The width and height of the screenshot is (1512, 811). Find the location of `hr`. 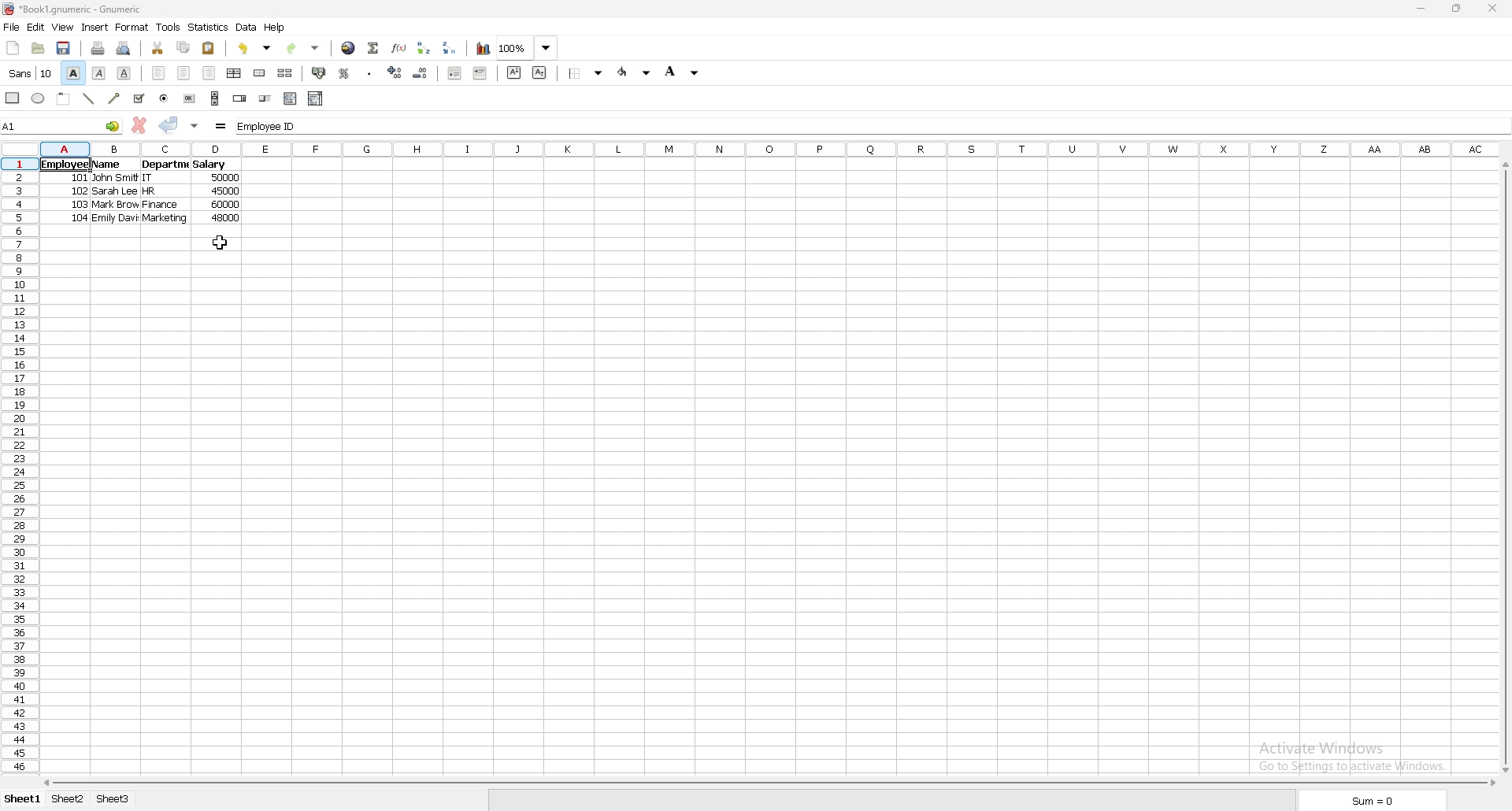

hr is located at coordinates (152, 191).